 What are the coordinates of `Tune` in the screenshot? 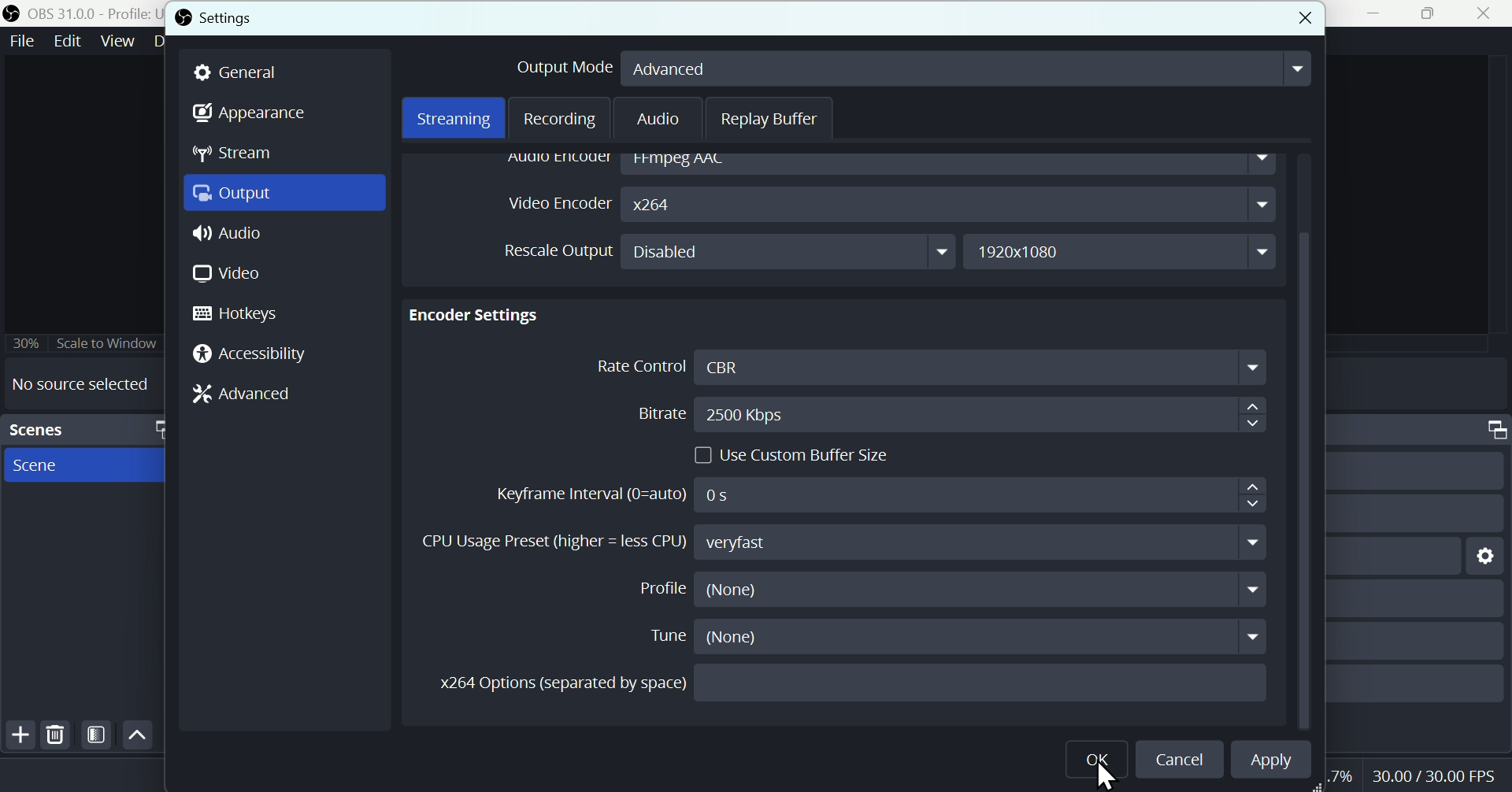 It's located at (958, 637).